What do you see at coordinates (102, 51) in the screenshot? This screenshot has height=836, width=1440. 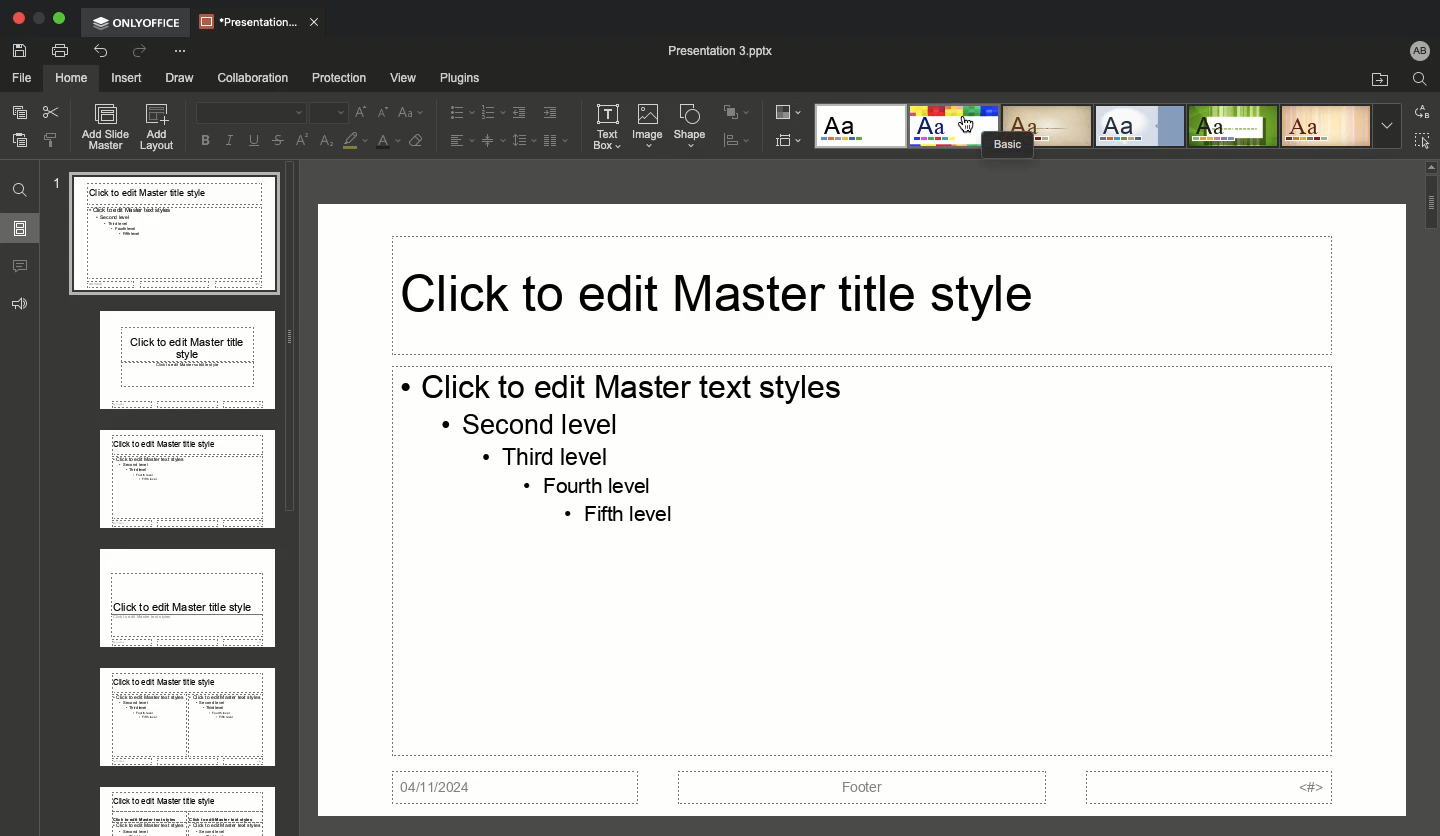 I see `Undo` at bounding box center [102, 51].